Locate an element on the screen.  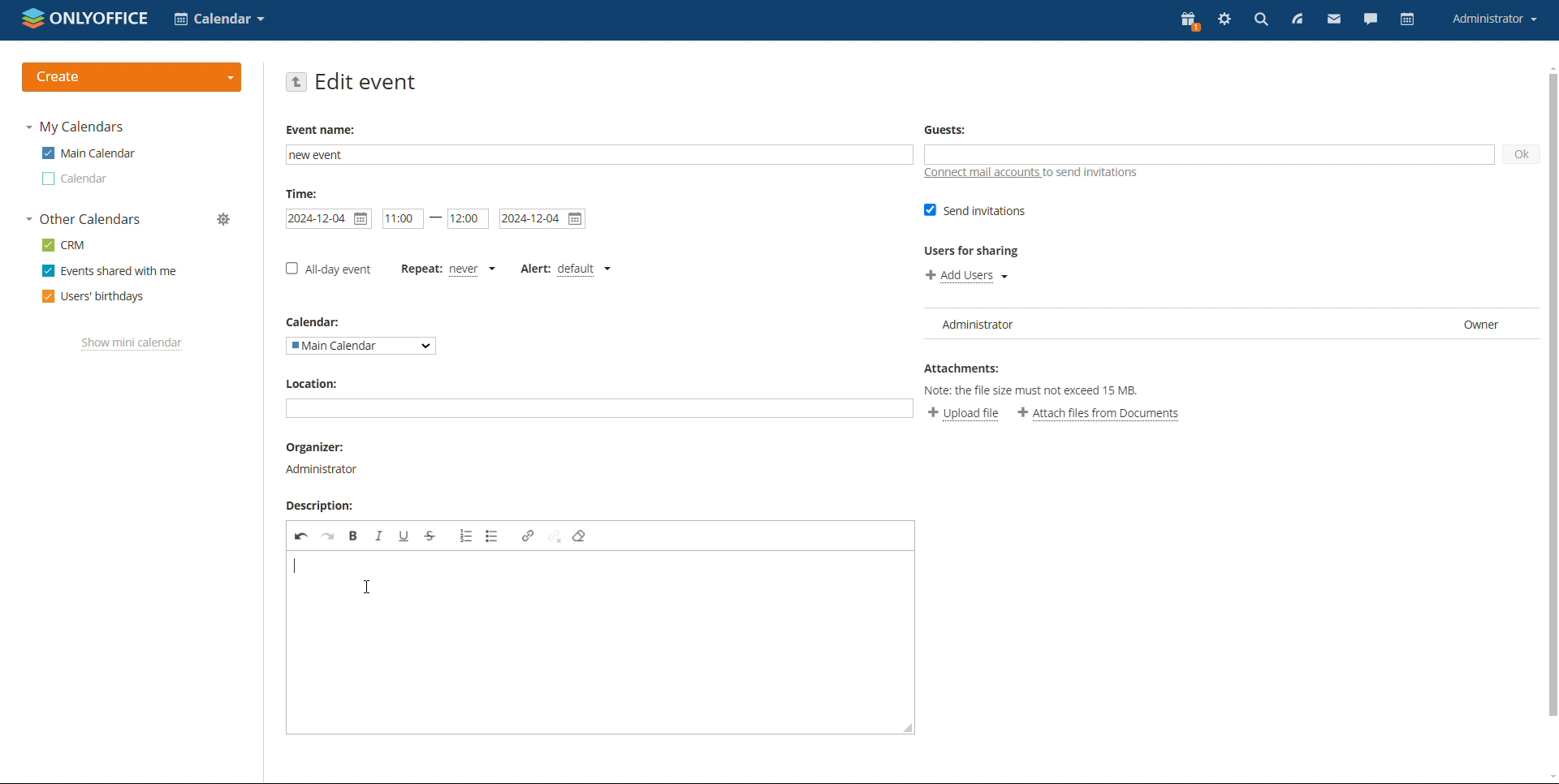
organizer is located at coordinates (323, 459).